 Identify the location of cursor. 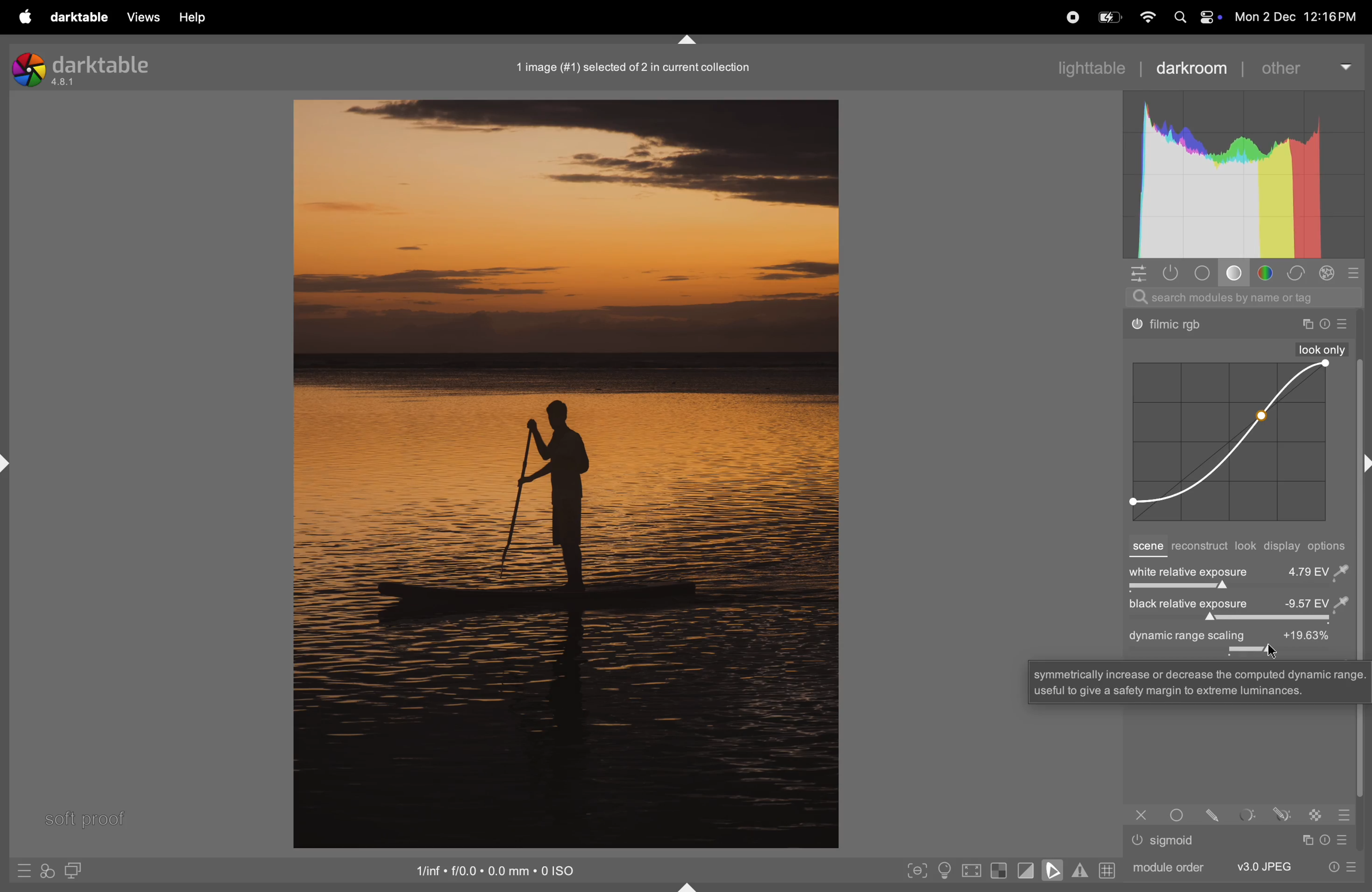
(1272, 650).